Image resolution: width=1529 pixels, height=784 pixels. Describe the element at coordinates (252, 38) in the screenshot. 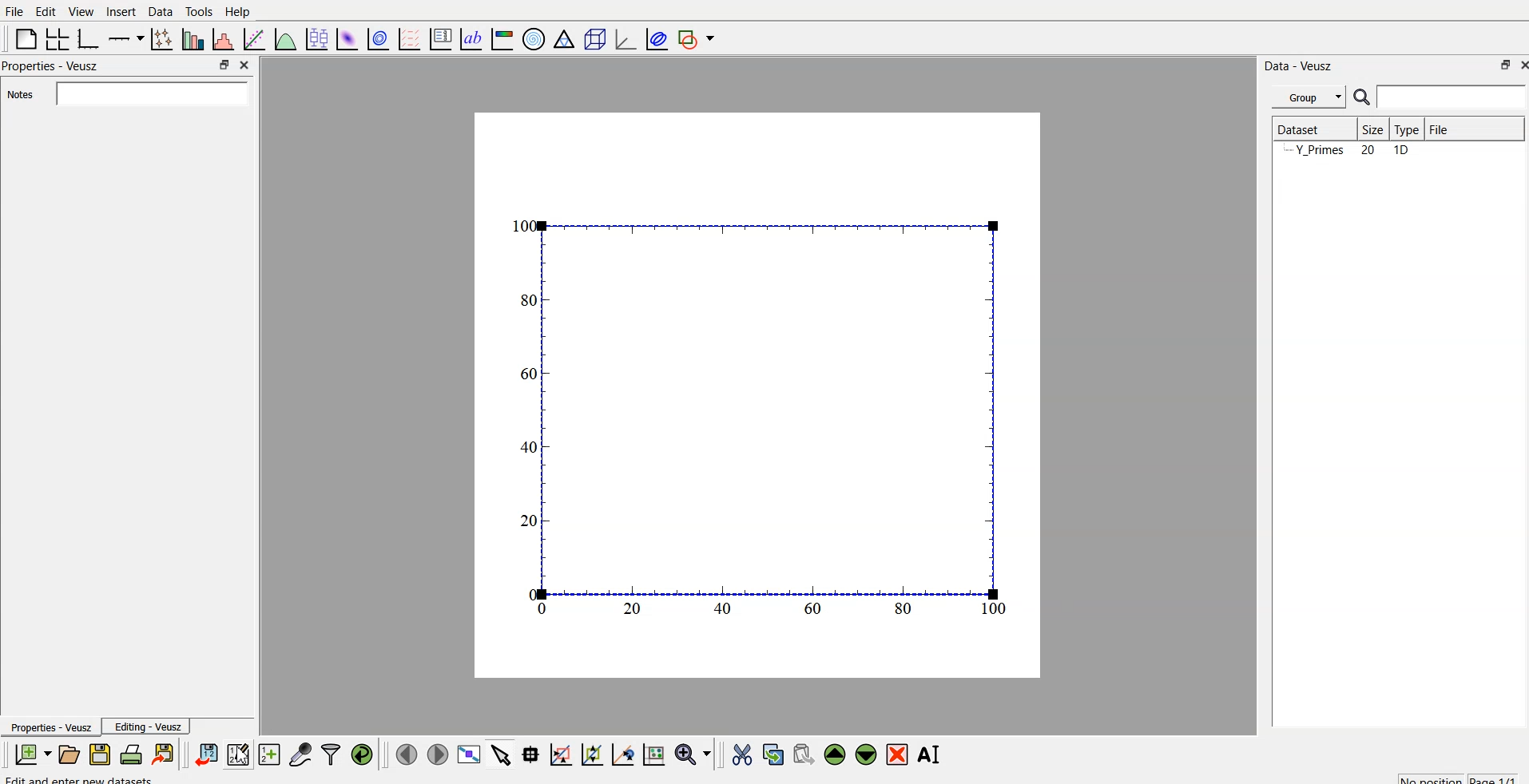

I see `fit function to data` at that location.